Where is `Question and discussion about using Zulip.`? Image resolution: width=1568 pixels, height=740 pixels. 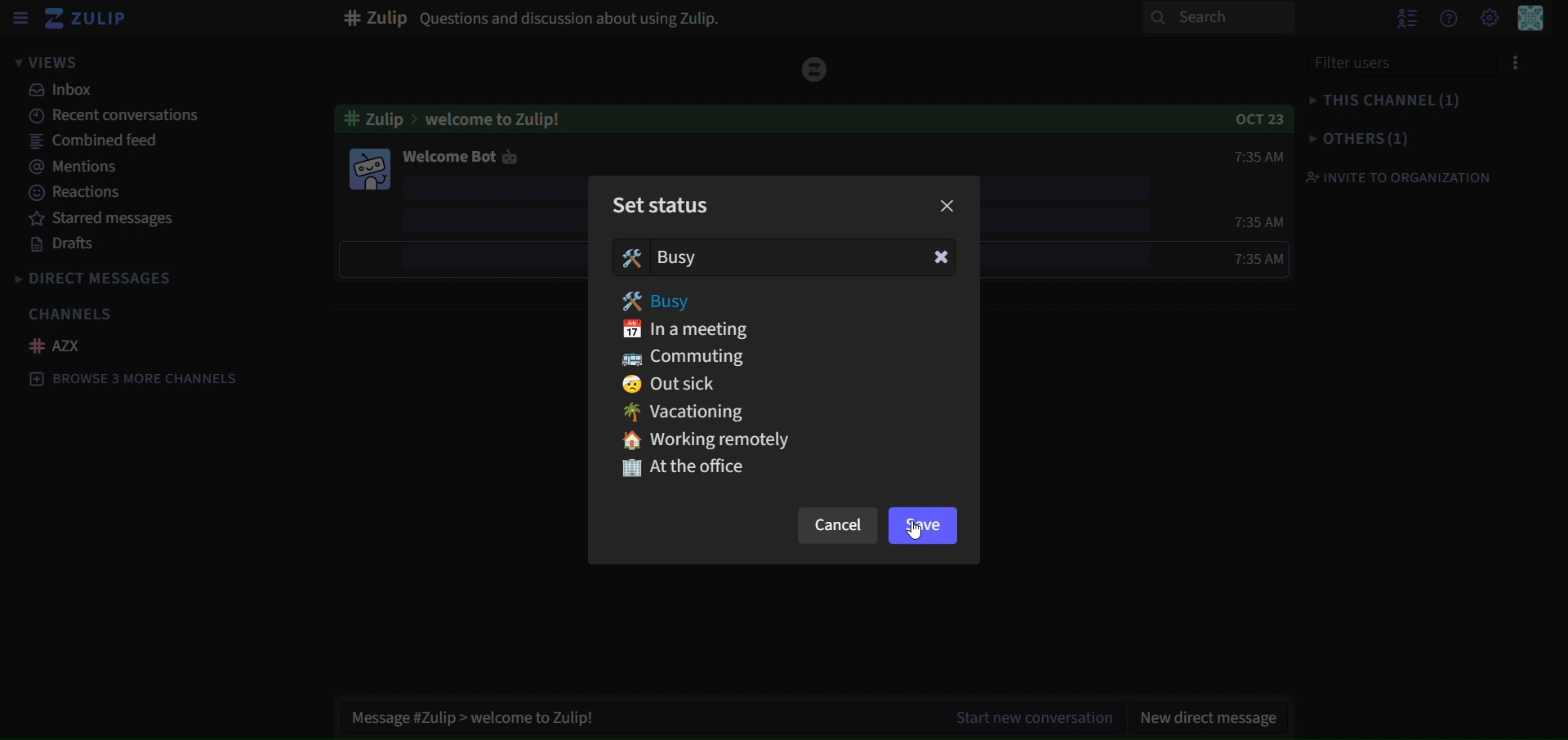 Question and discussion about using Zulip. is located at coordinates (532, 19).